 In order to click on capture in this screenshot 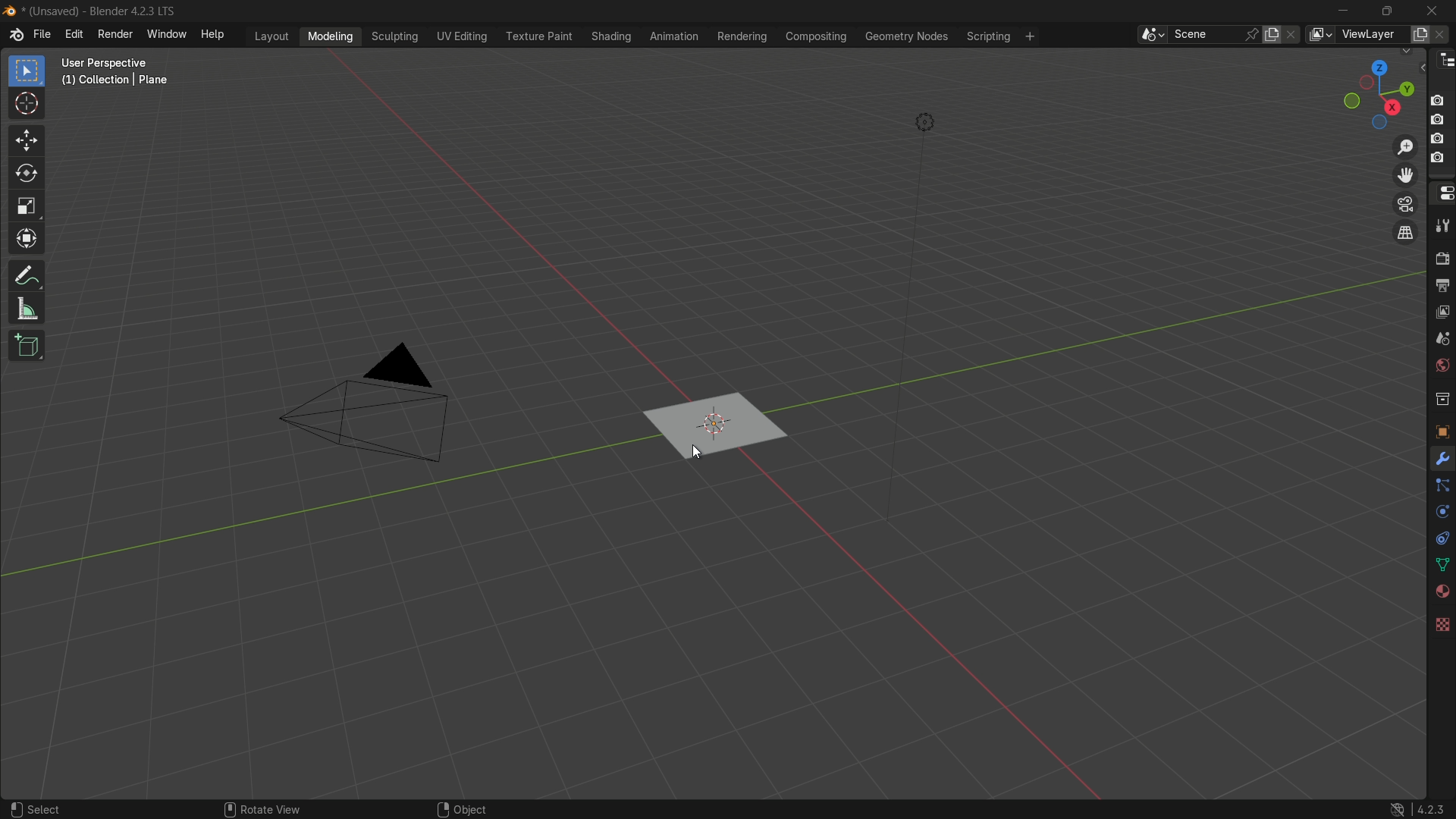, I will do `click(1441, 97)`.